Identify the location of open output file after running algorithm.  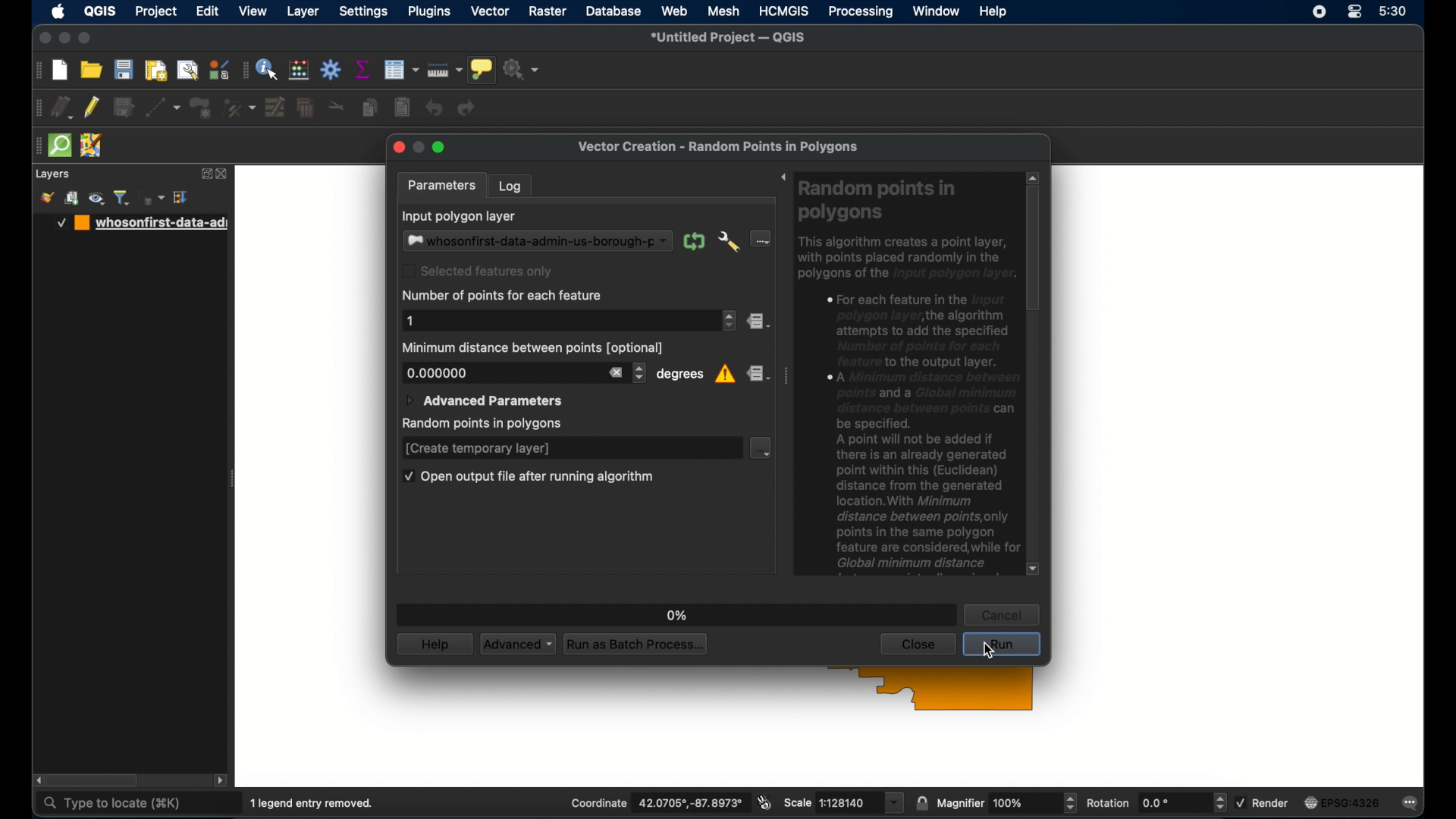
(529, 476).